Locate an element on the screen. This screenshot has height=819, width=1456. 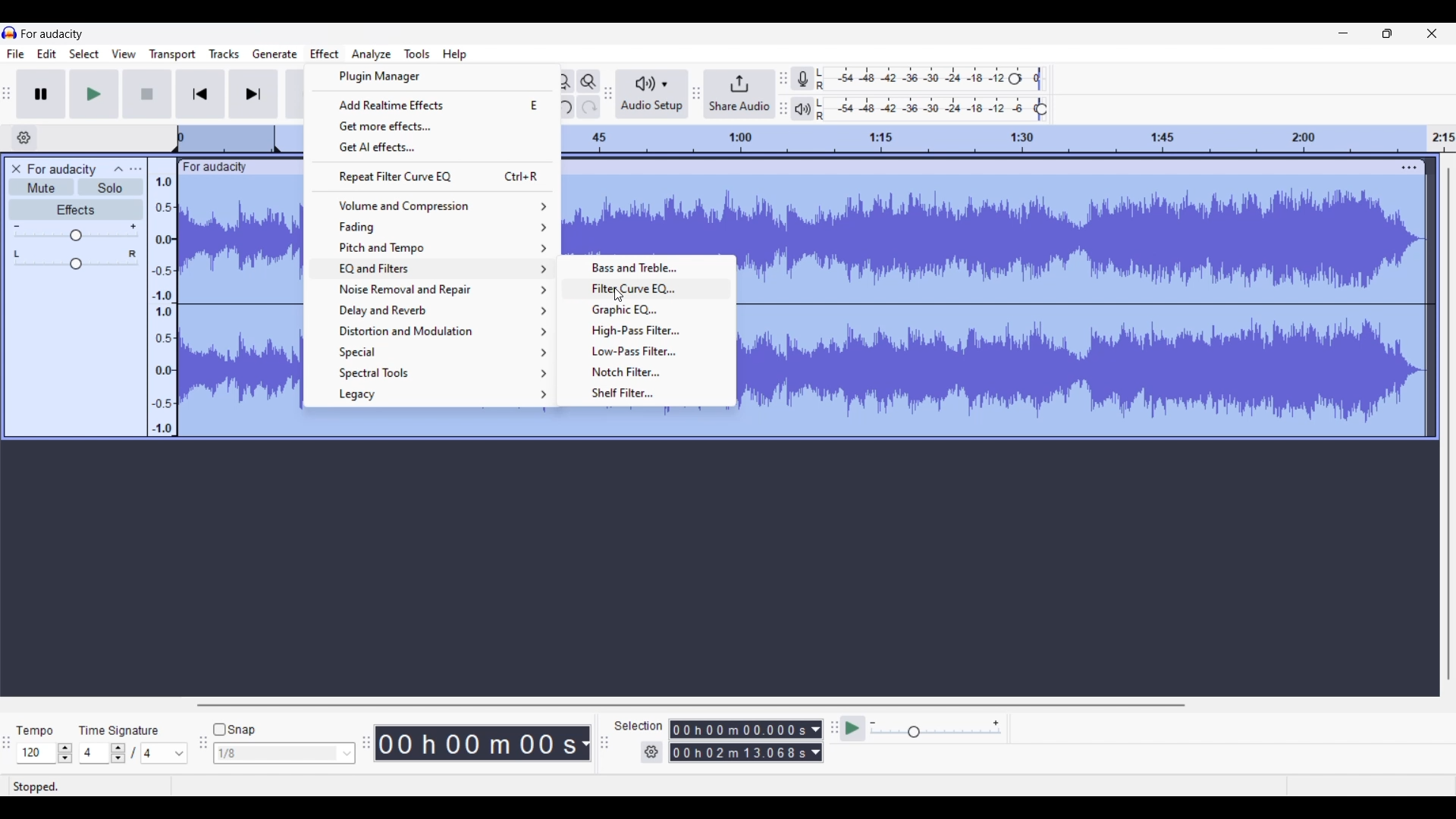
Shelf filter is located at coordinates (649, 394).